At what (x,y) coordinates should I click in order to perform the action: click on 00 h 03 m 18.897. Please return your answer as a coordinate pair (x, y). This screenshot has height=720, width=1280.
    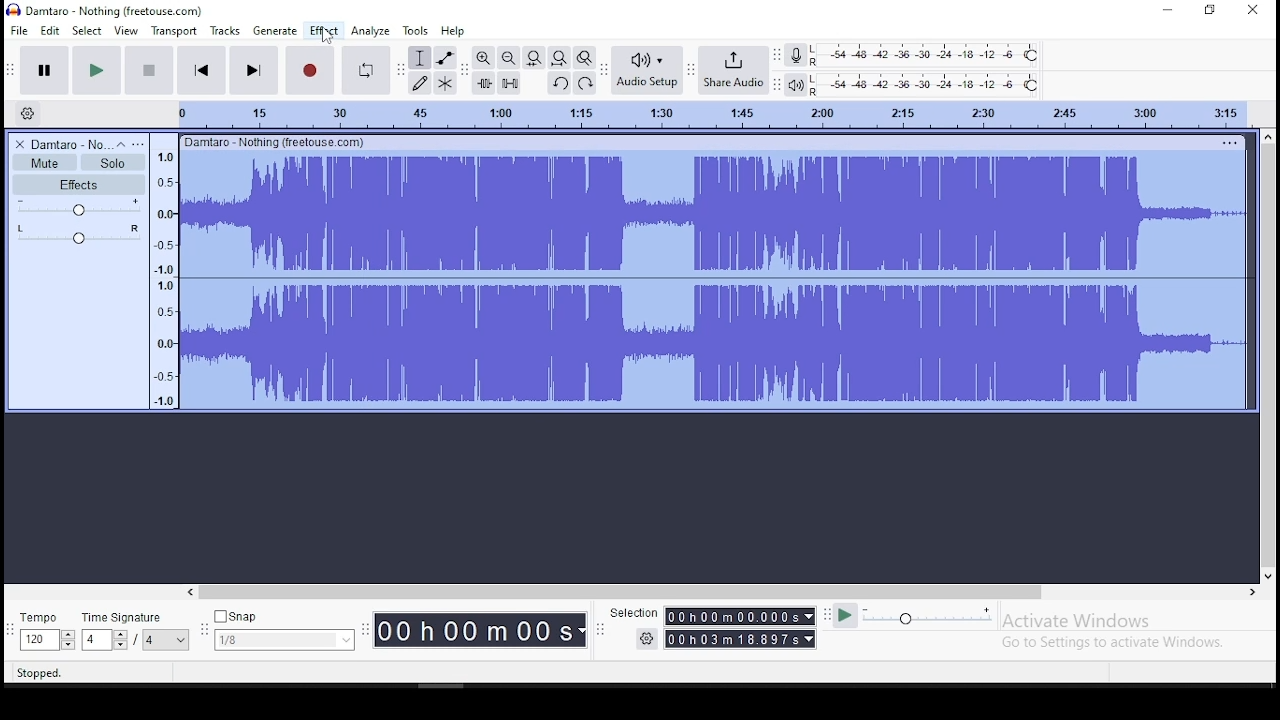
    Looking at the image, I should click on (732, 639).